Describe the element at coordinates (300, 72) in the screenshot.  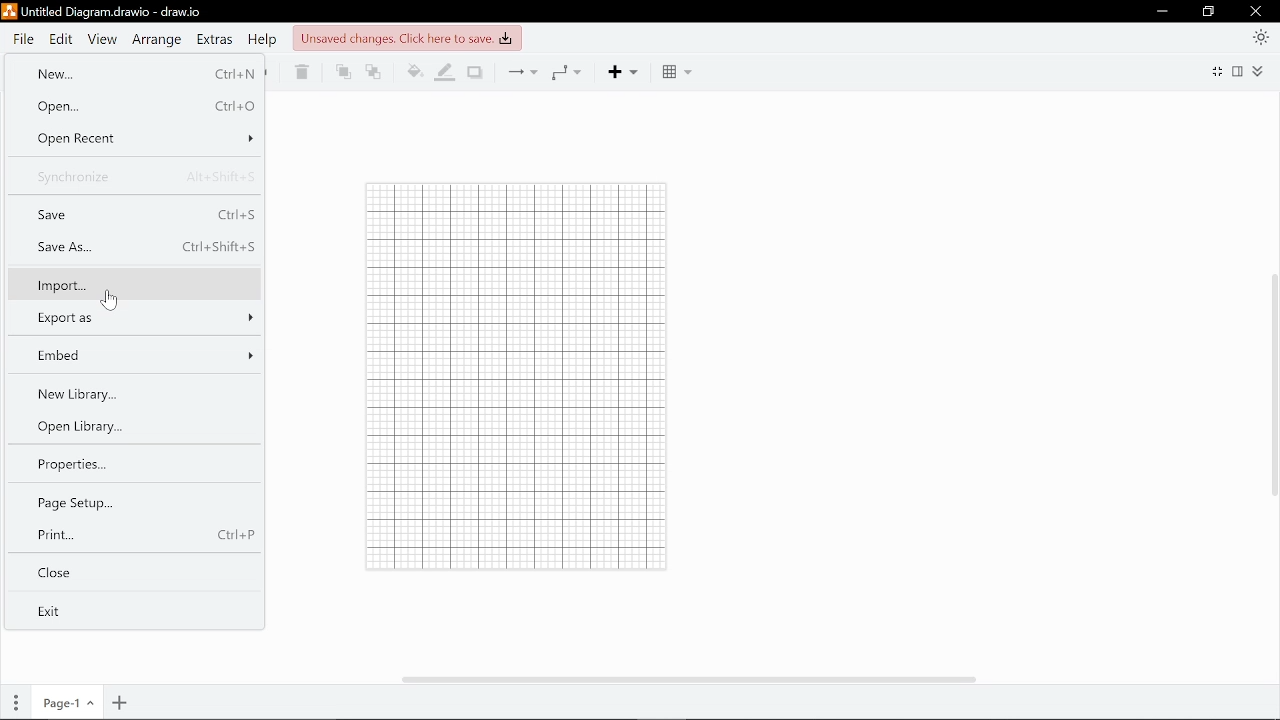
I see `delete` at that location.